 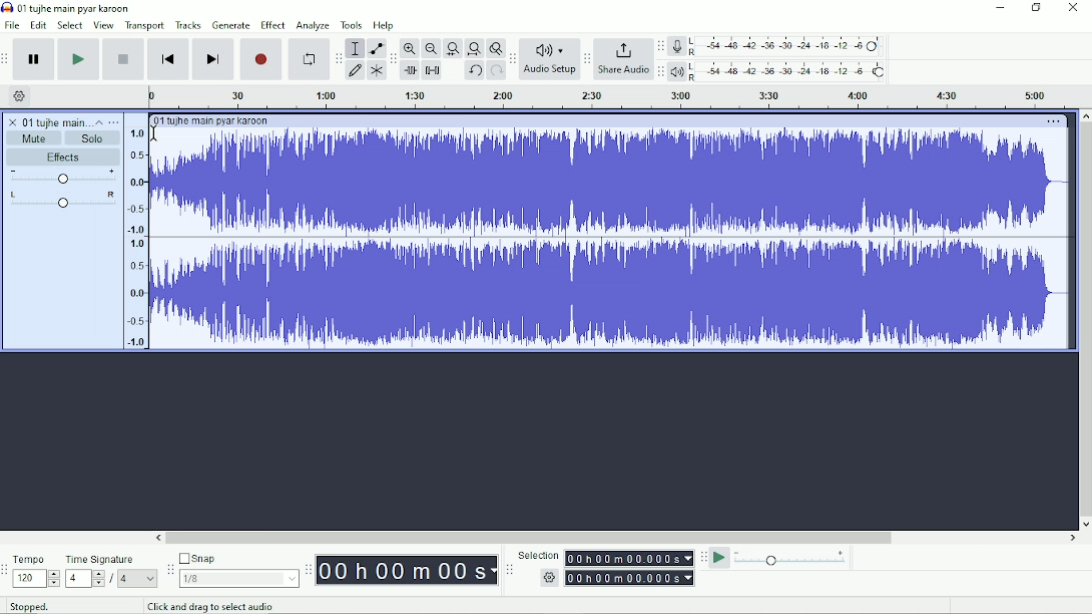 What do you see at coordinates (169, 59) in the screenshot?
I see `Skip to start` at bounding box center [169, 59].